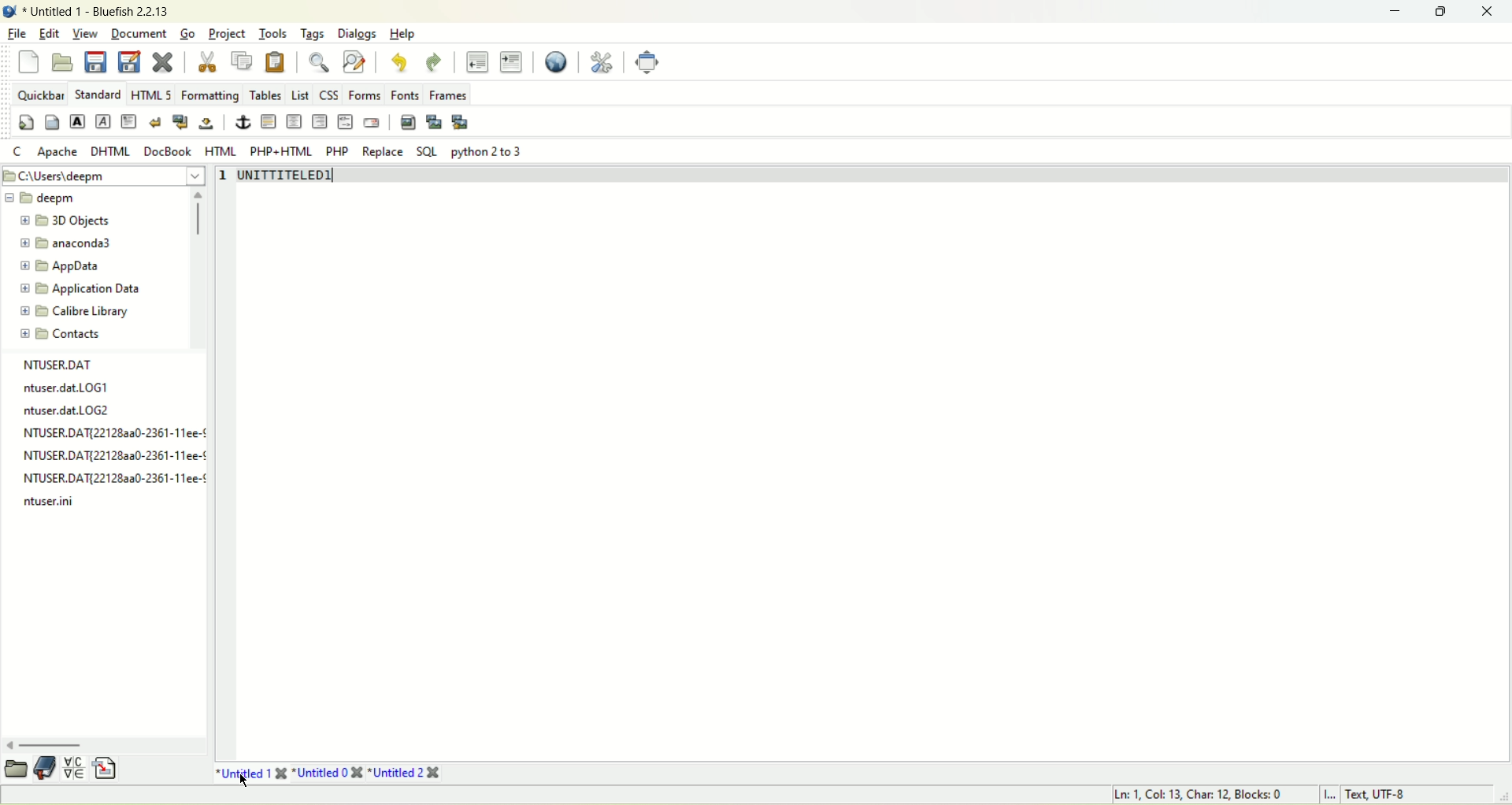 The height and width of the screenshot is (805, 1512). What do you see at coordinates (403, 92) in the screenshot?
I see `Fonts ` at bounding box center [403, 92].